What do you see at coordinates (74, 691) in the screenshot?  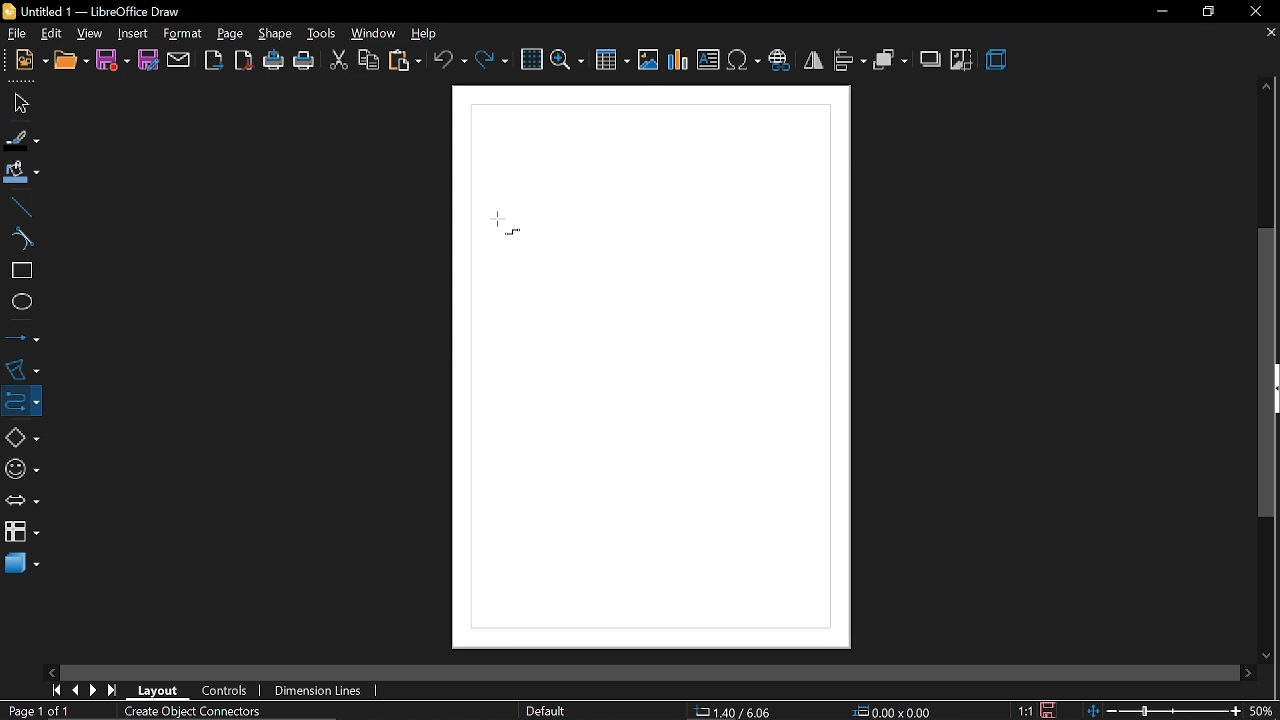 I see `previous page` at bounding box center [74, 691].